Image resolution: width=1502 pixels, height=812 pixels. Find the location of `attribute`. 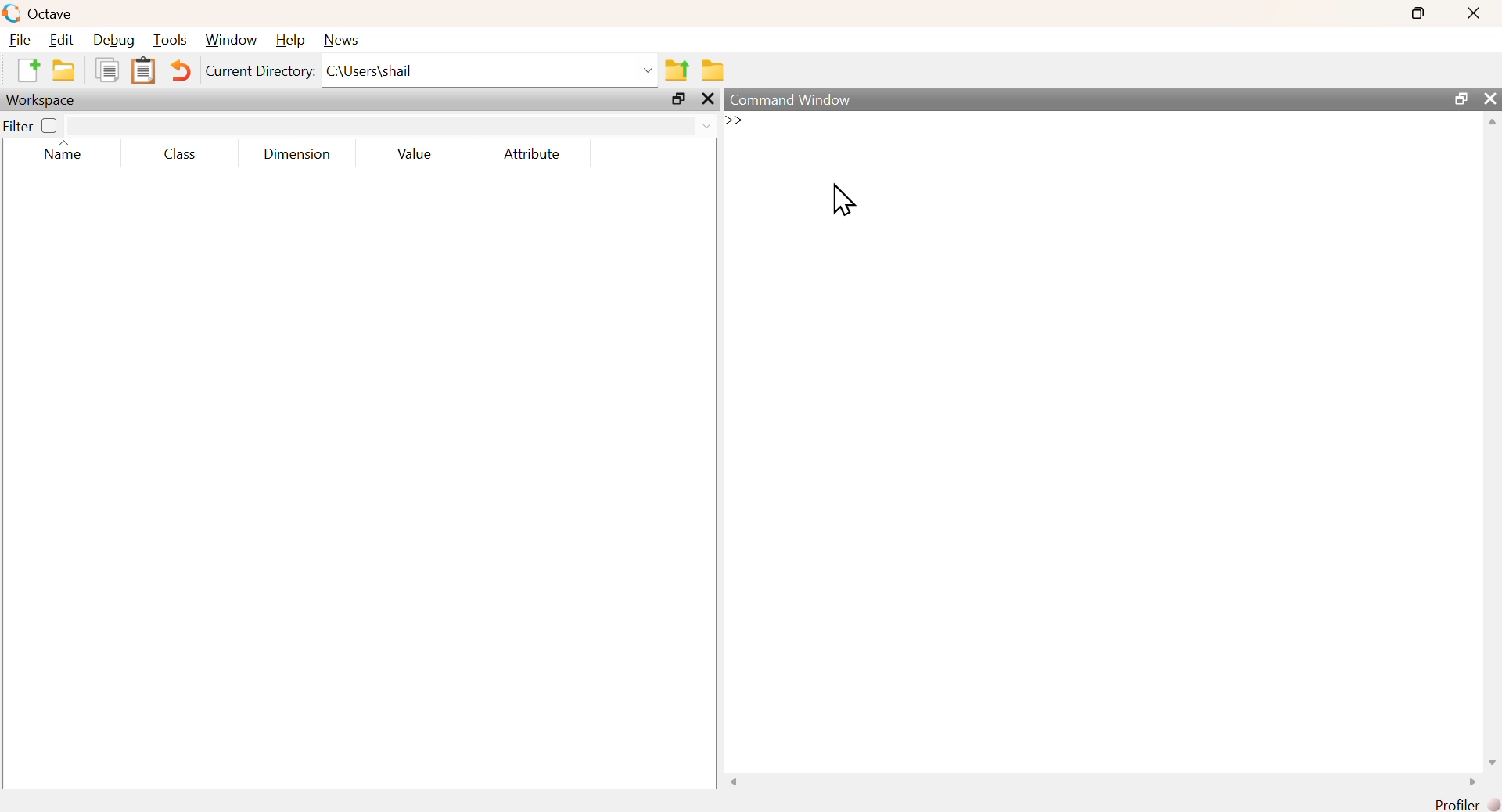

attribute is located at coordinates (530, 154).